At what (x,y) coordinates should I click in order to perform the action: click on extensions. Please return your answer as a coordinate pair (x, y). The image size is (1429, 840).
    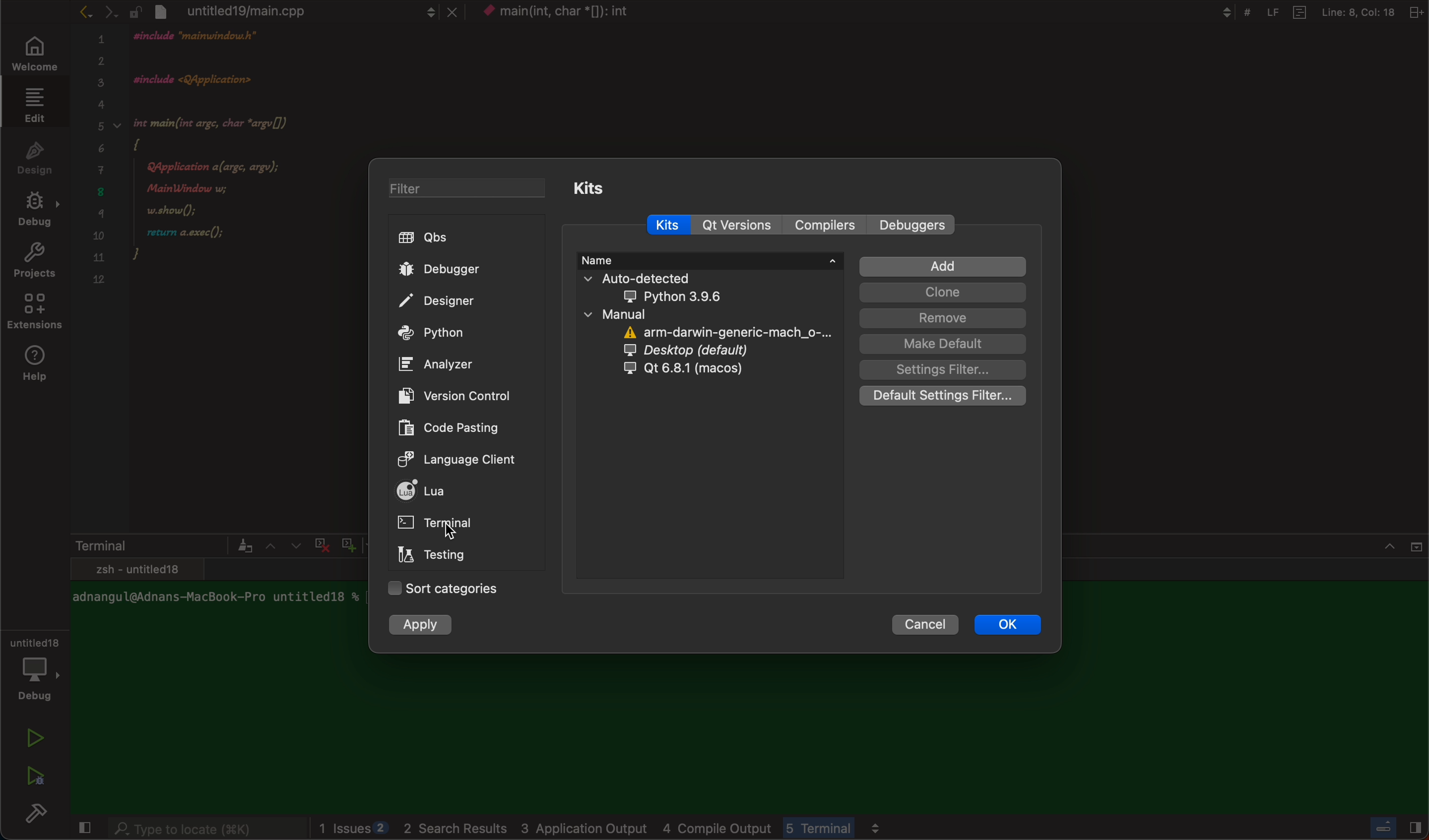
    Looking at the image, I should click on (36, 315).